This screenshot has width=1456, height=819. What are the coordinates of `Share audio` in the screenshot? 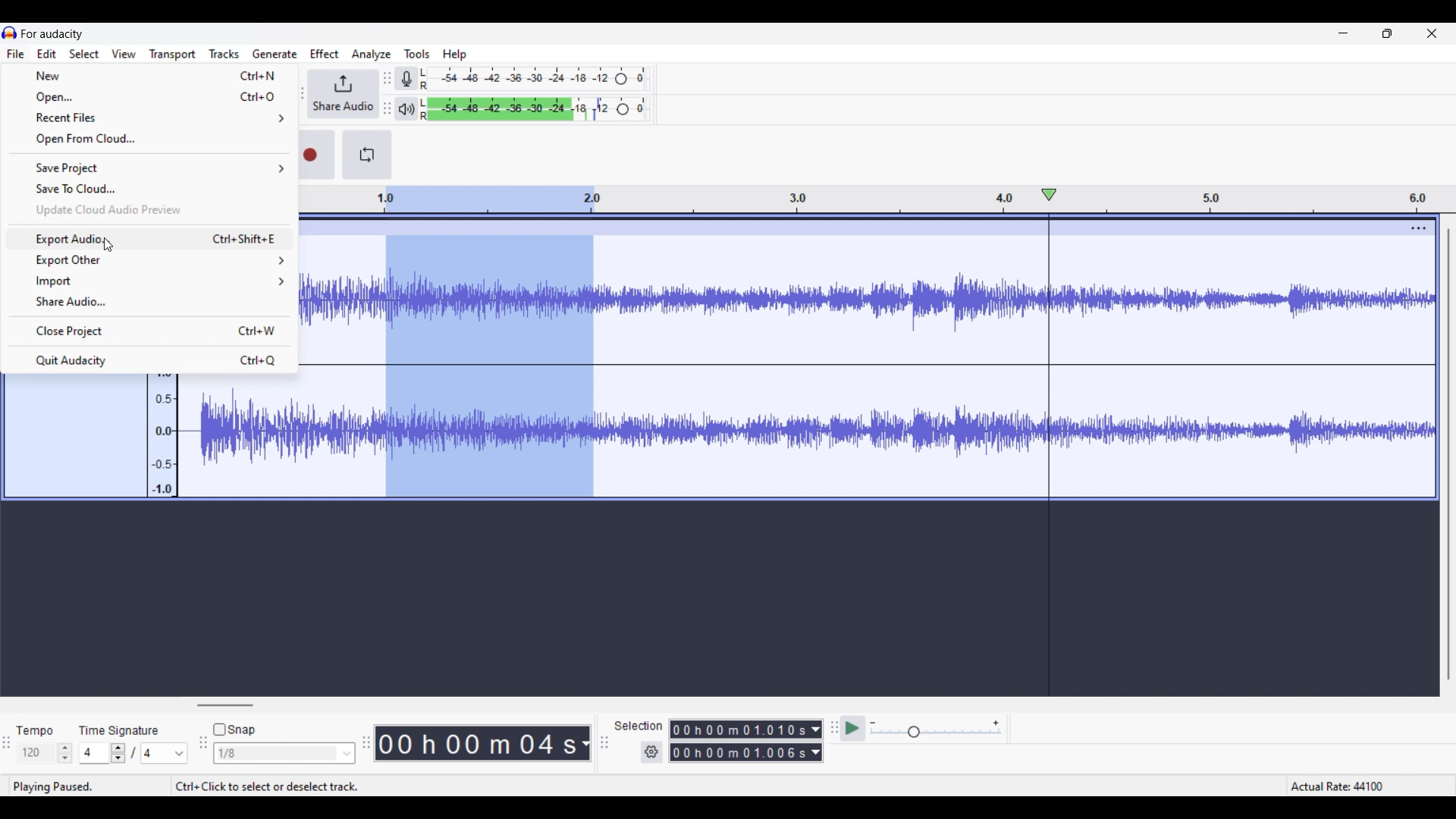 It's located at (342, 94).